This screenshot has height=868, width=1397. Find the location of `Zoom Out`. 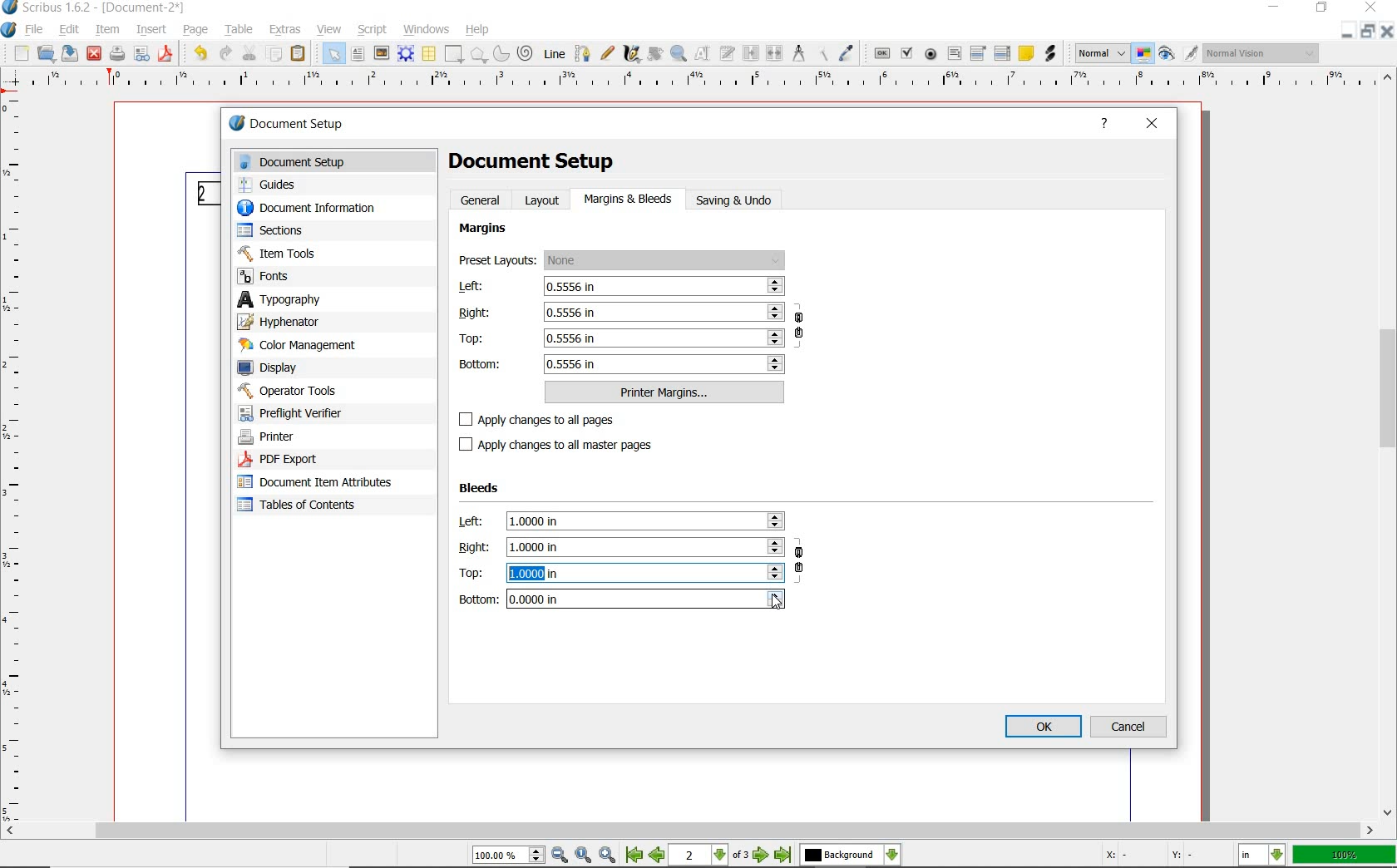

Zoom Out is located at coordinates (560, 856).